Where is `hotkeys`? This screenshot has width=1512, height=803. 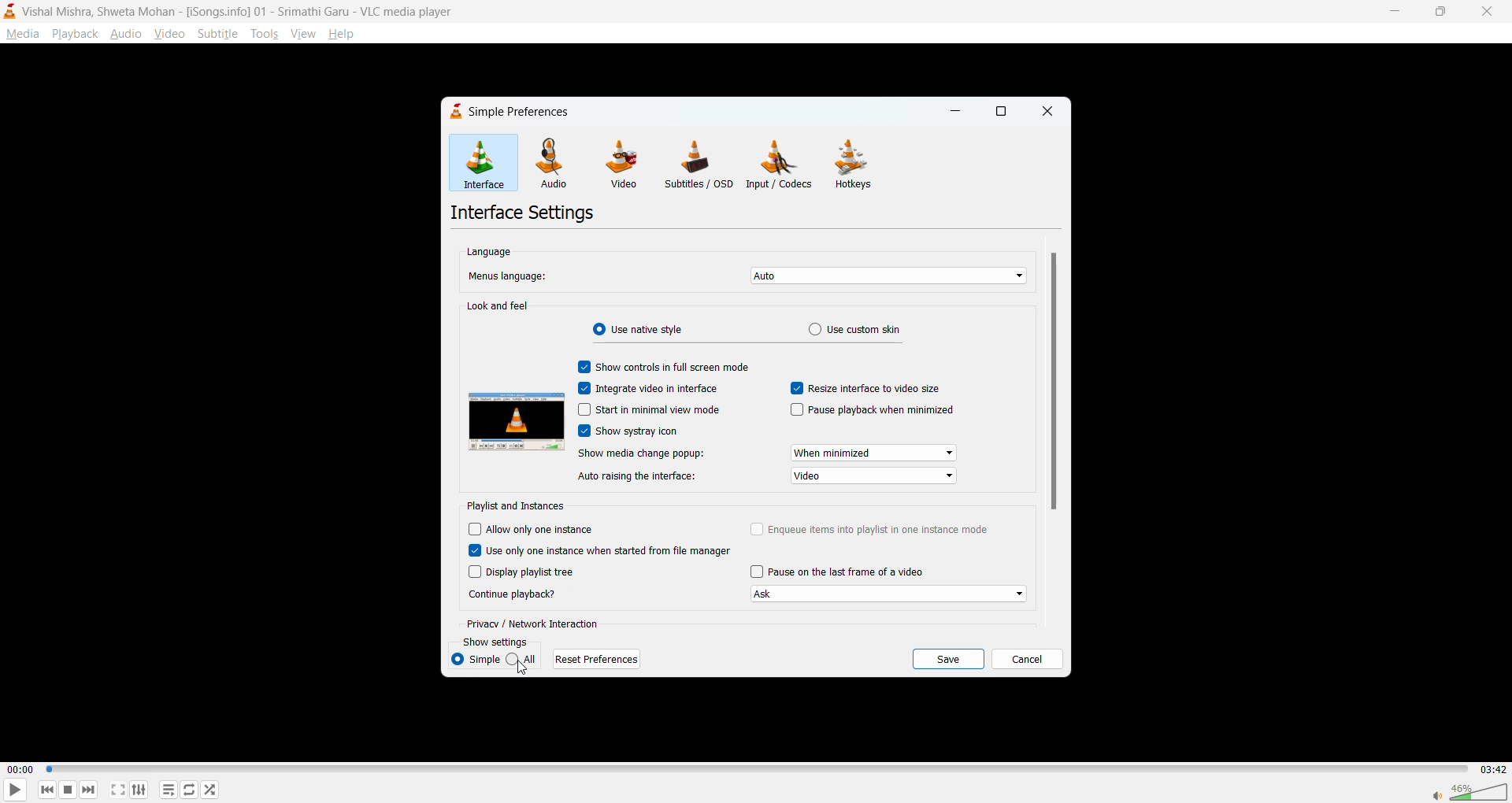 hotkeys is located at coordinates (853, 164).